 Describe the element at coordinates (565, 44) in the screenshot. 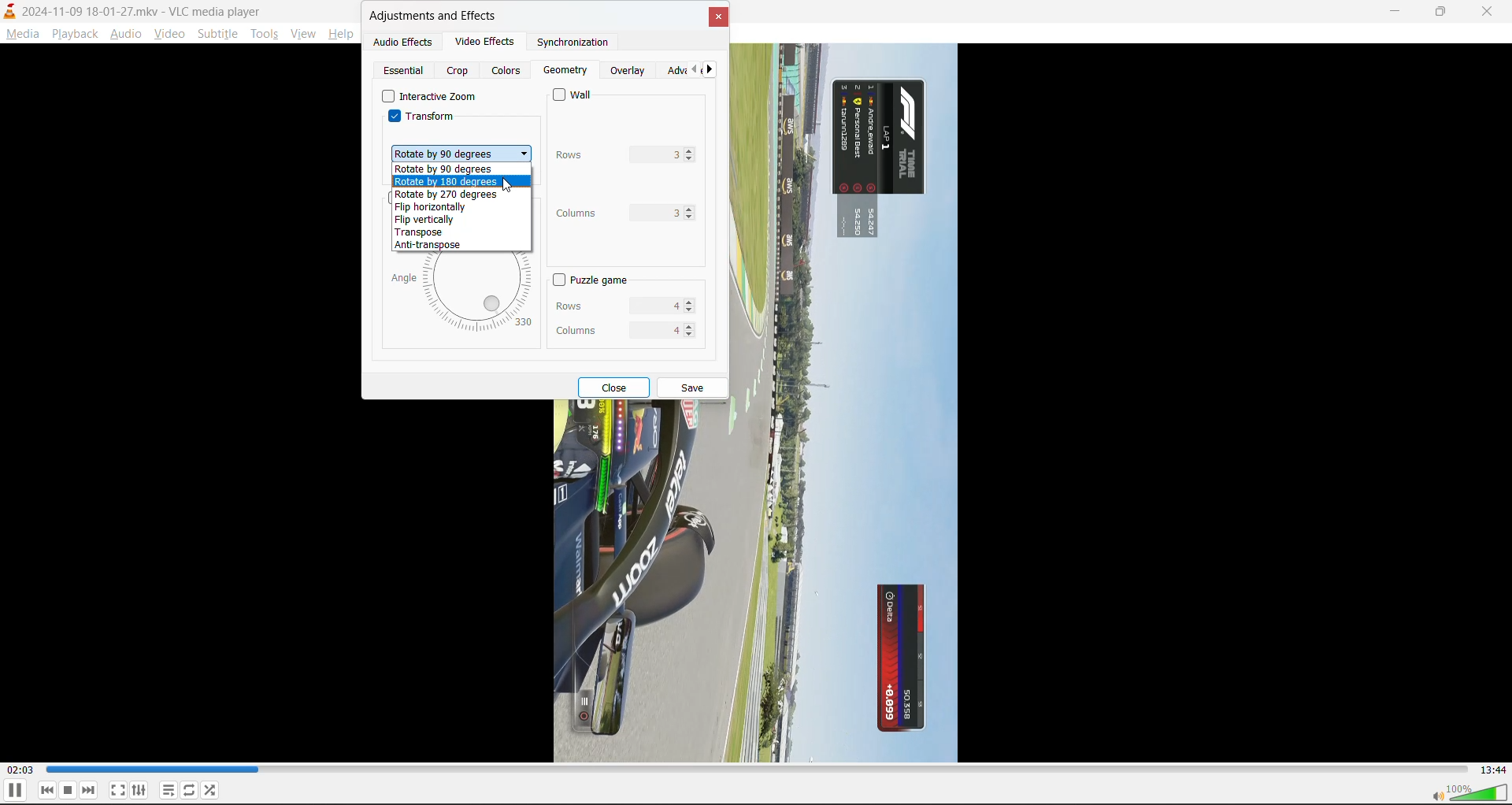

I see `synchronization` at that location.